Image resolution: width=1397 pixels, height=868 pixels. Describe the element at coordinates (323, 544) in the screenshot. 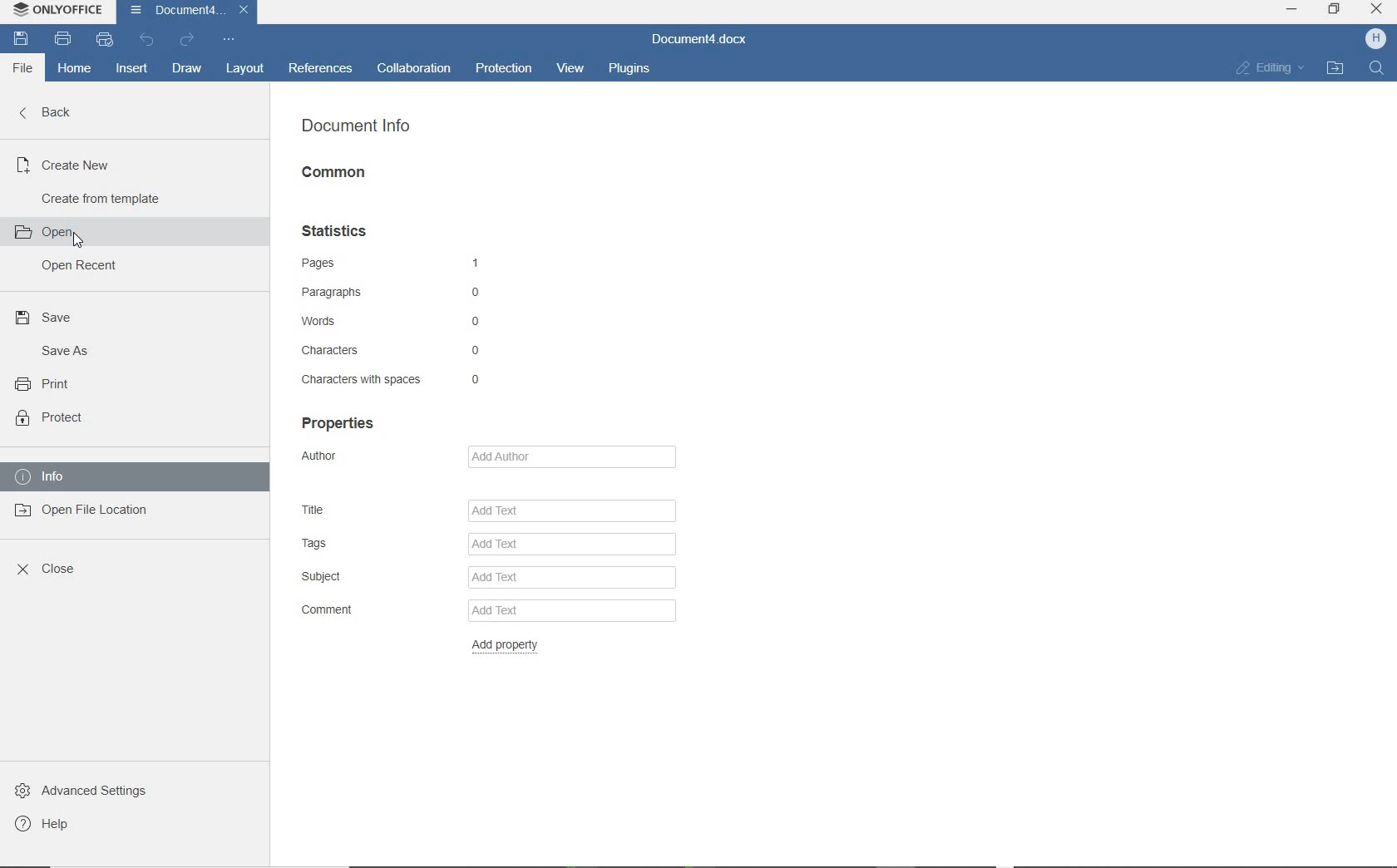

I see `tags` at that location.